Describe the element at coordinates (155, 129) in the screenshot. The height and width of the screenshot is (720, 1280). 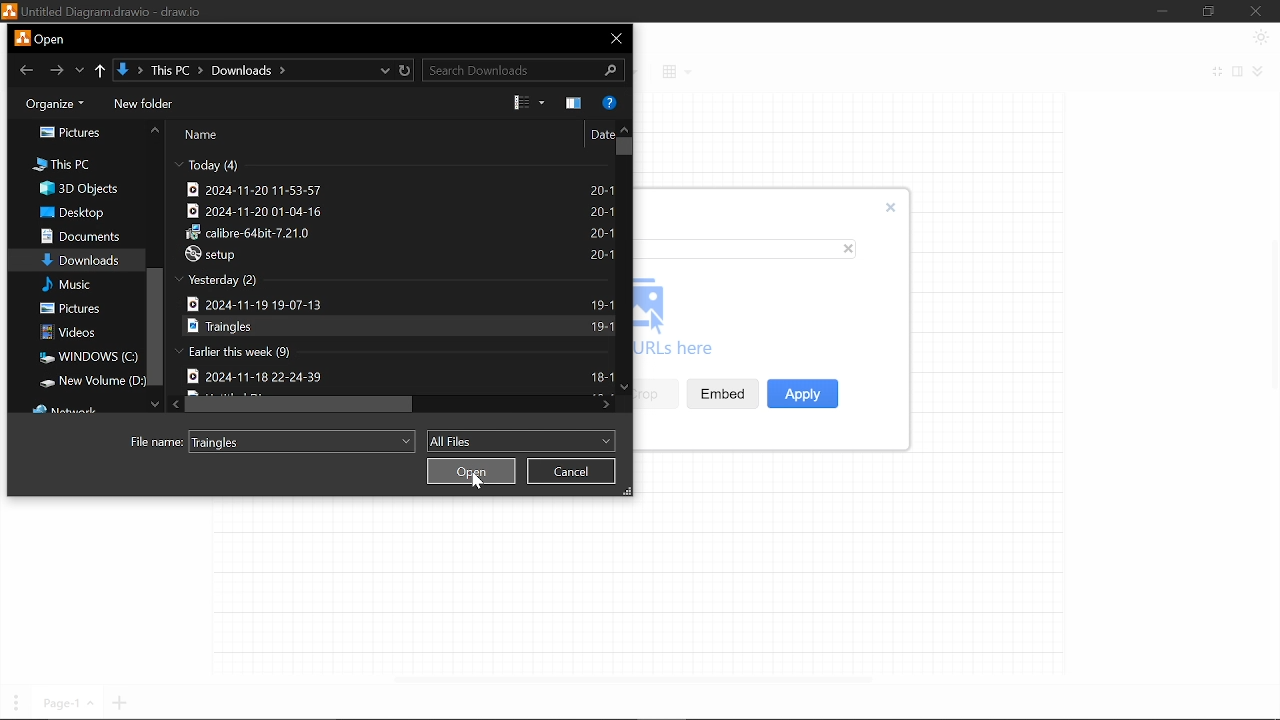
I see `Move up in folder` at that location.